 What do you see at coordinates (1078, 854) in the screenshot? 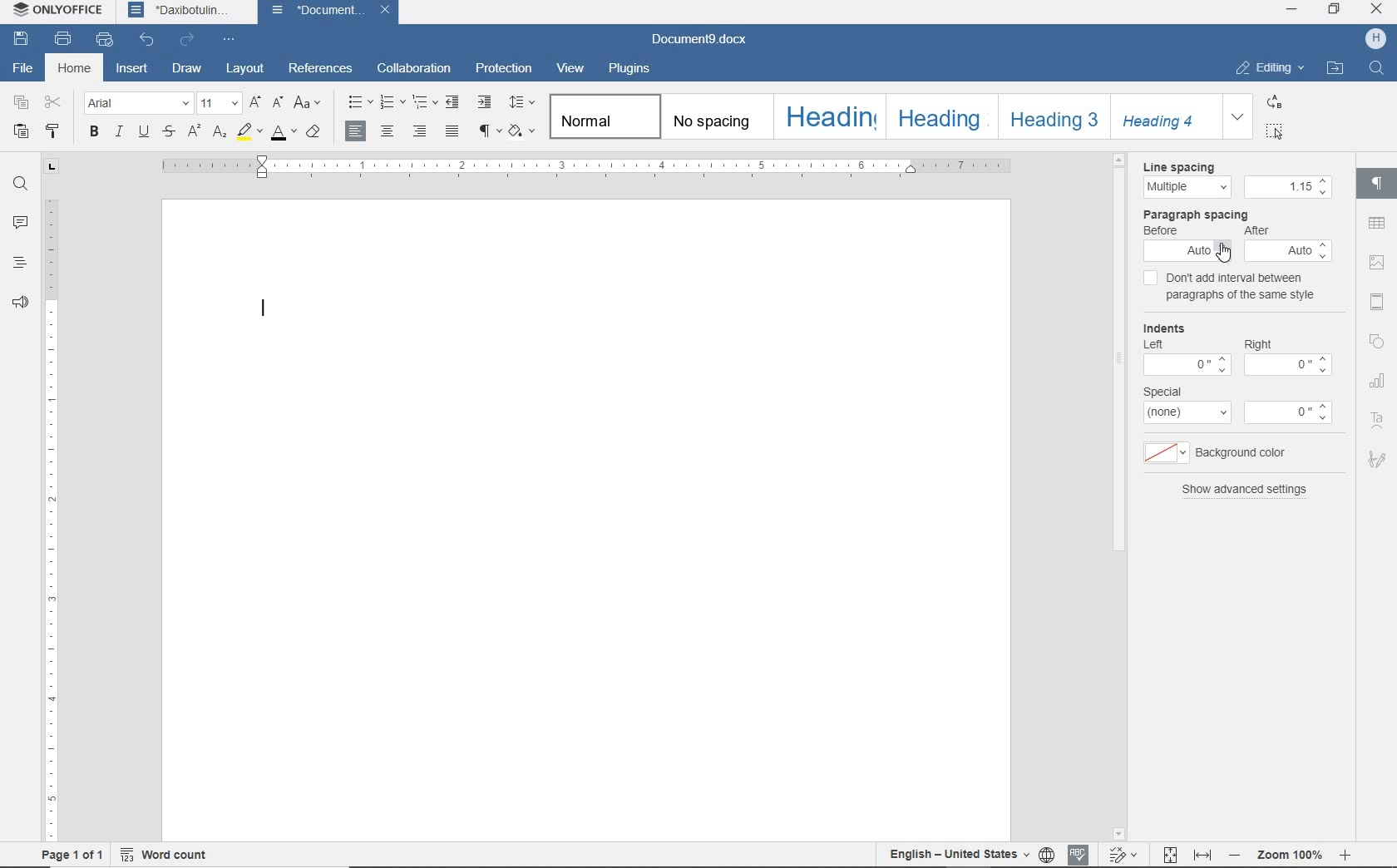
I see `spell checking` at bounding box center [1078, 854].